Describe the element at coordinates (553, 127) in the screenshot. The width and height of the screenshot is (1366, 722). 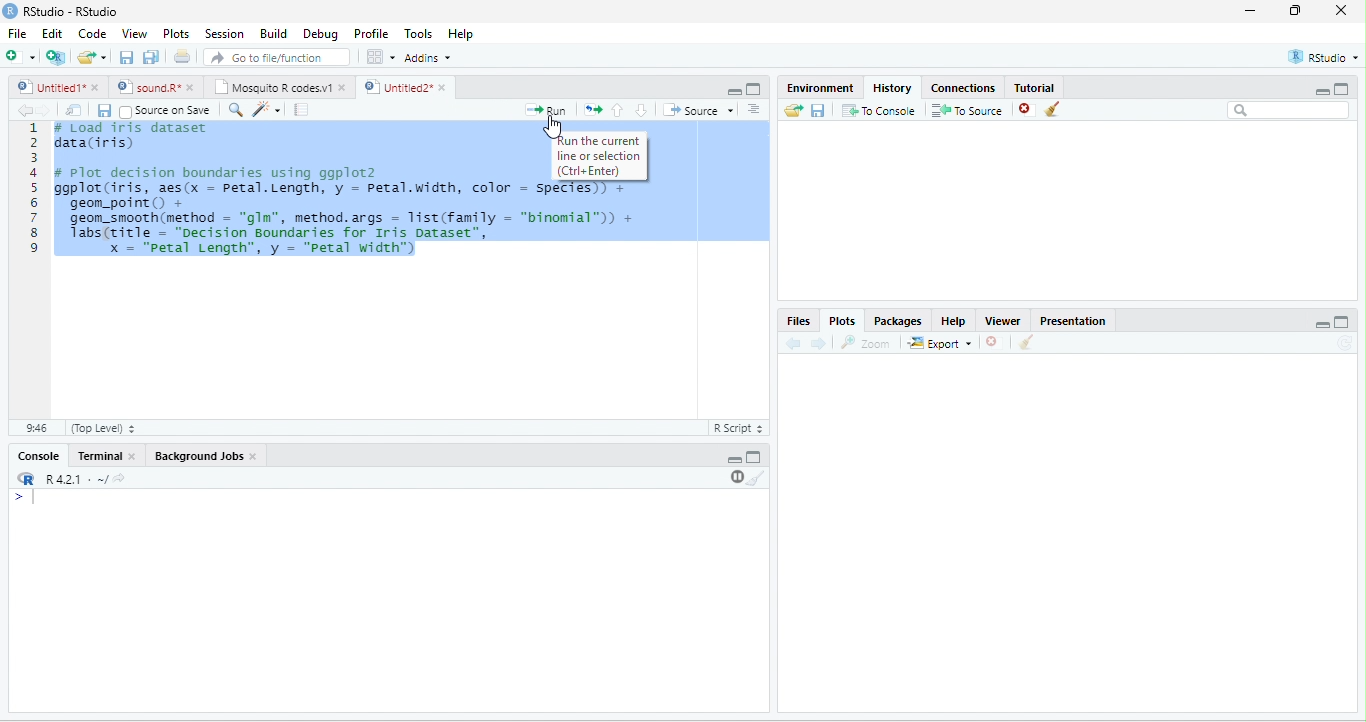
I see `cursor` at that location.